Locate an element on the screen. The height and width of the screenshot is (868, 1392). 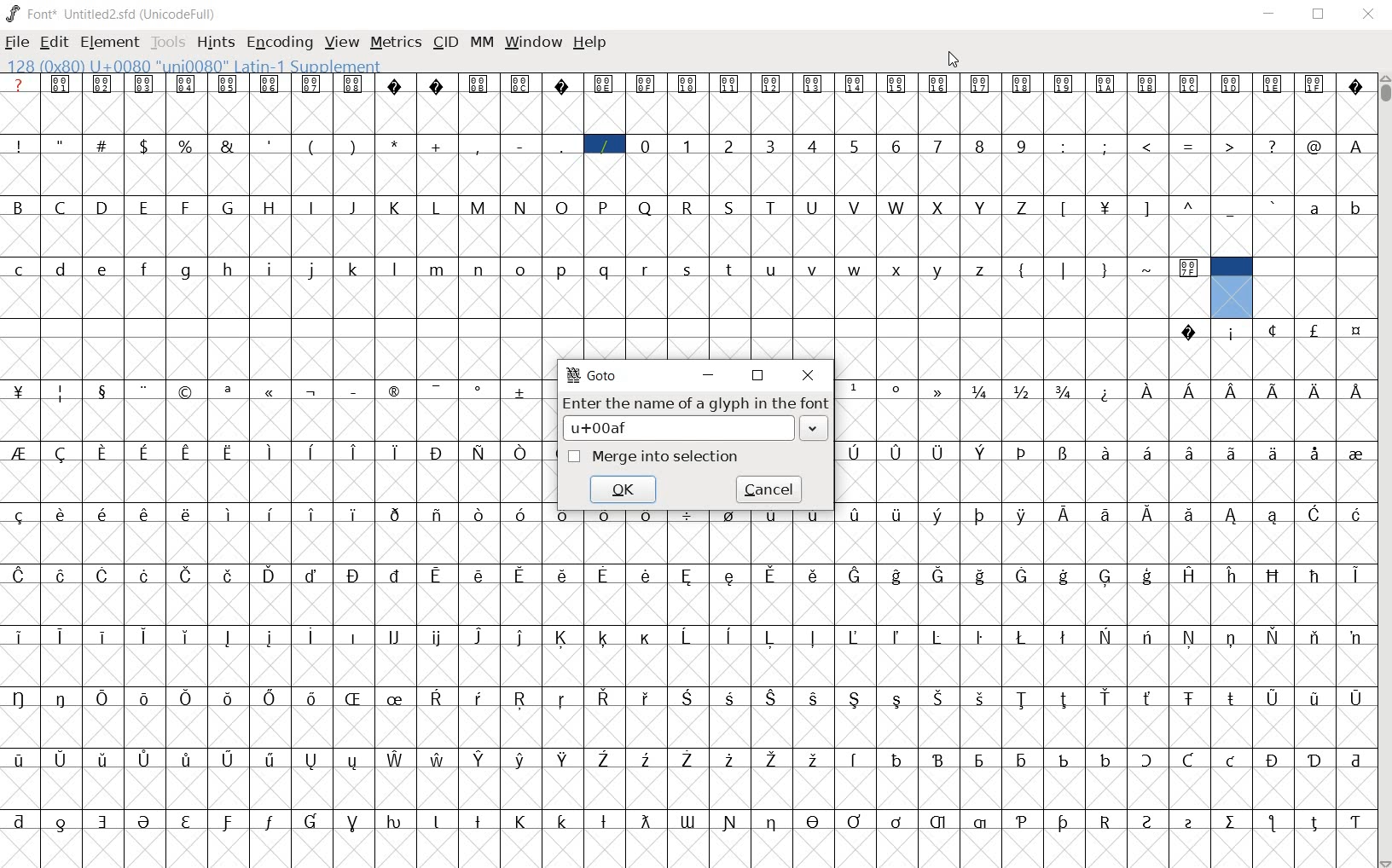
Symbol is located at coordinates (1064, 757).